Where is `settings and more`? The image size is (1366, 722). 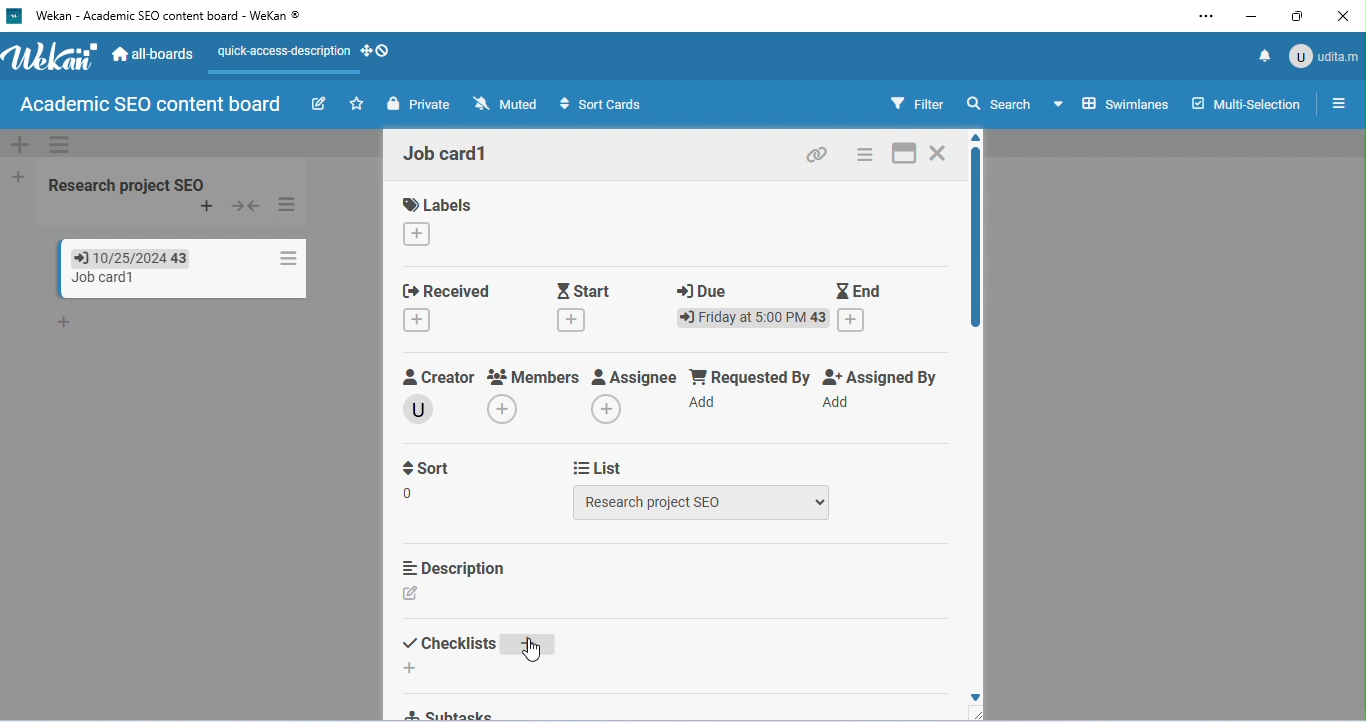
settings and more is located at coordinates (1205, 18).